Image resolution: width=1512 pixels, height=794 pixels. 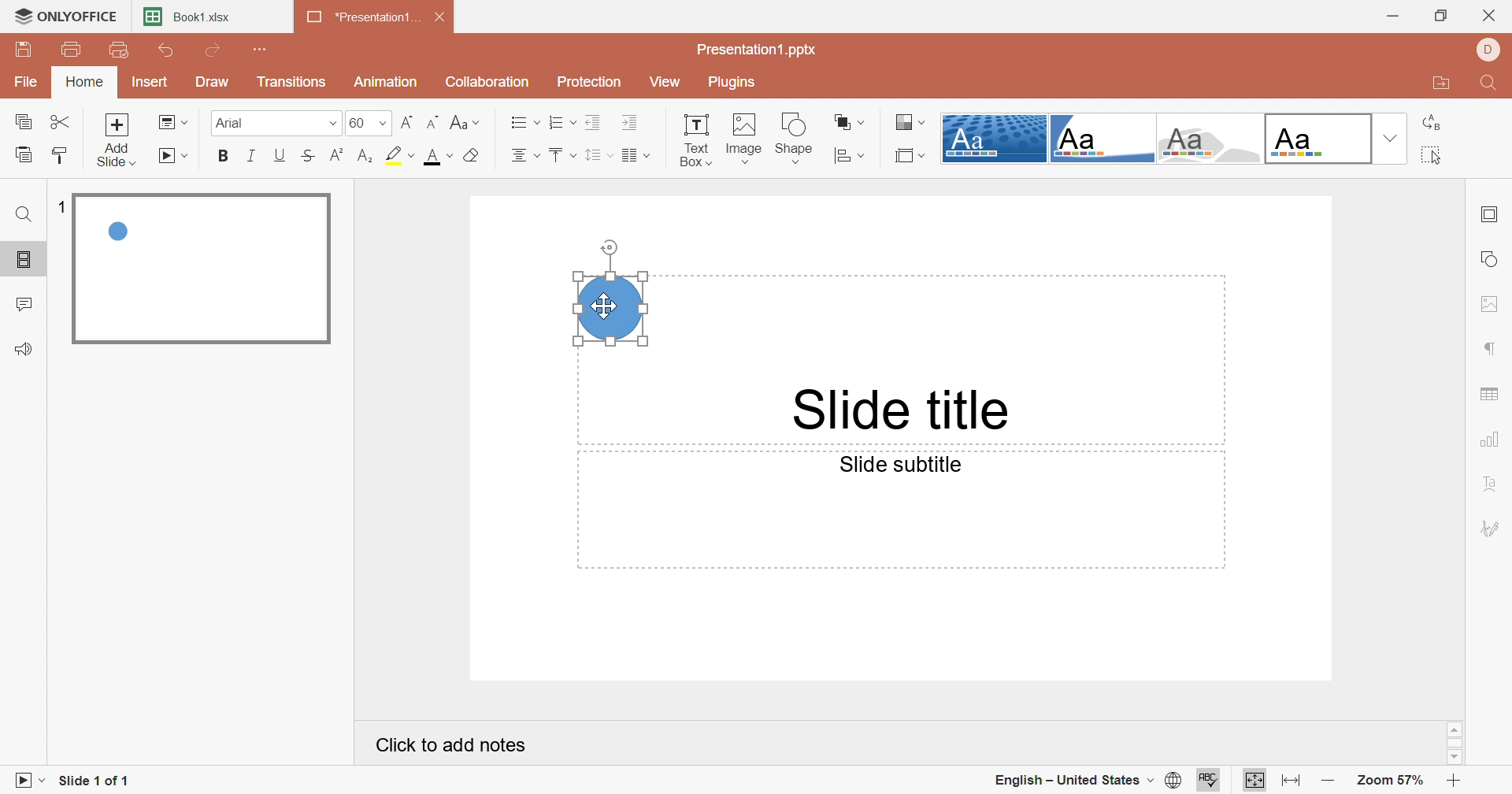 What do you see at coordinates (117, 139) in the screenshot?
I see `Add slide` at bounding box center [117, 139].